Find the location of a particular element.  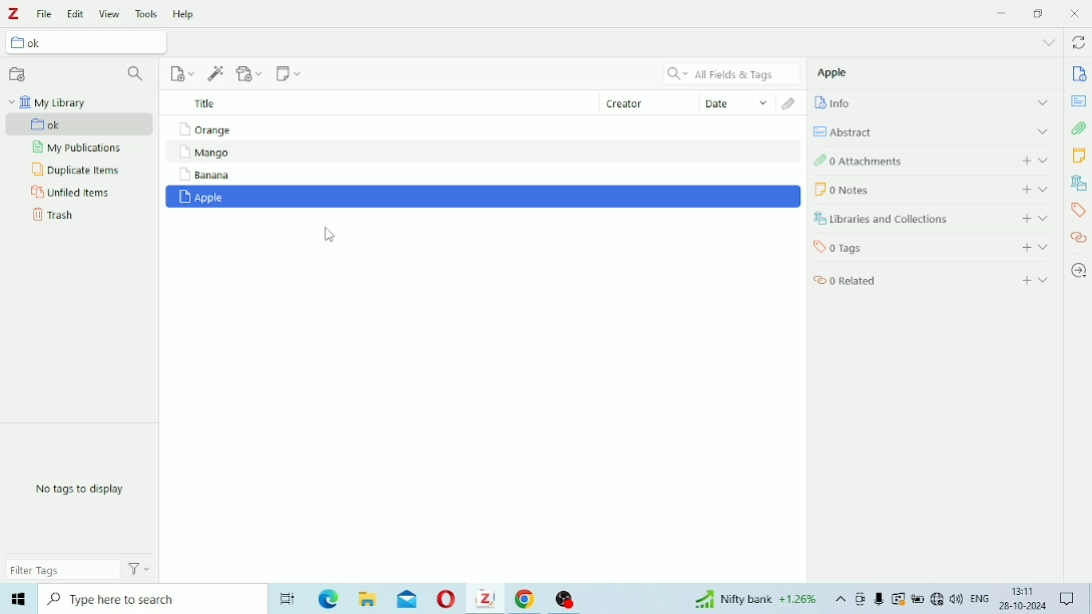

Edit is located at coordinates (77, 11).